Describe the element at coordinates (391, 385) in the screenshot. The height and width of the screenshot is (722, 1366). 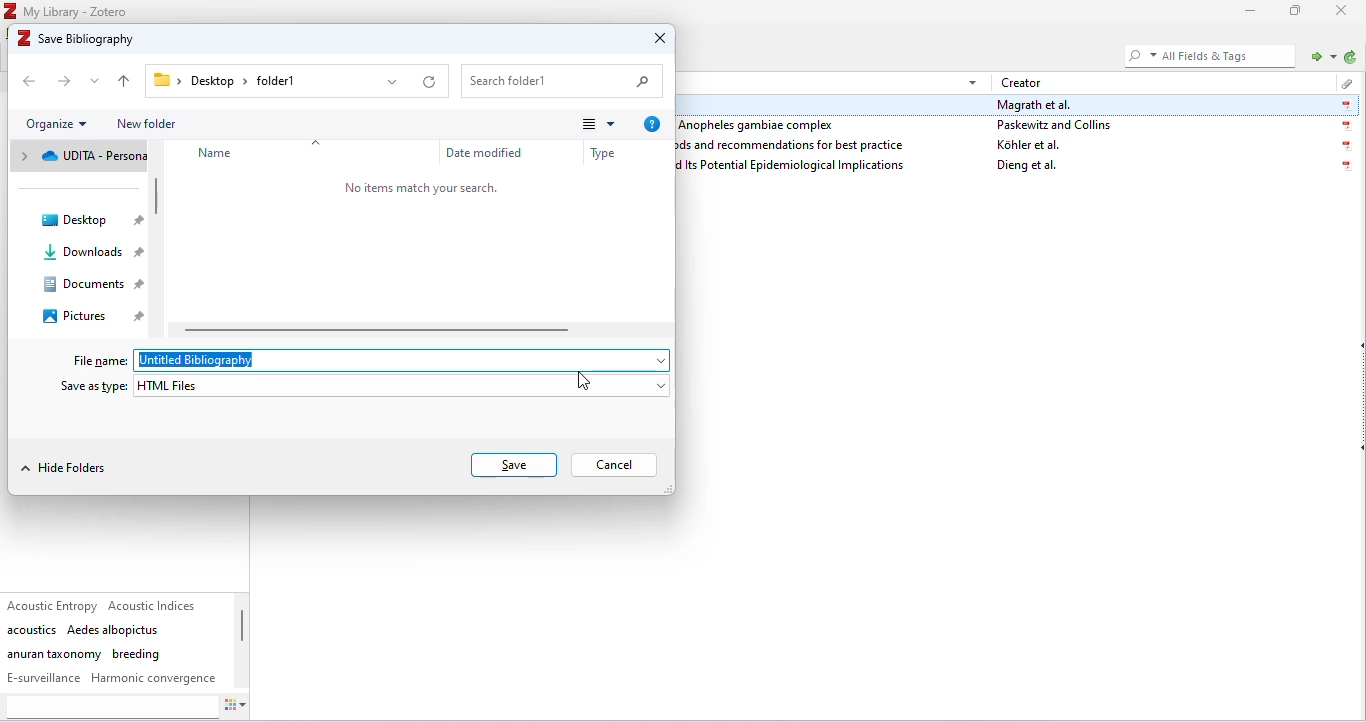
I see `select file type` at that location.